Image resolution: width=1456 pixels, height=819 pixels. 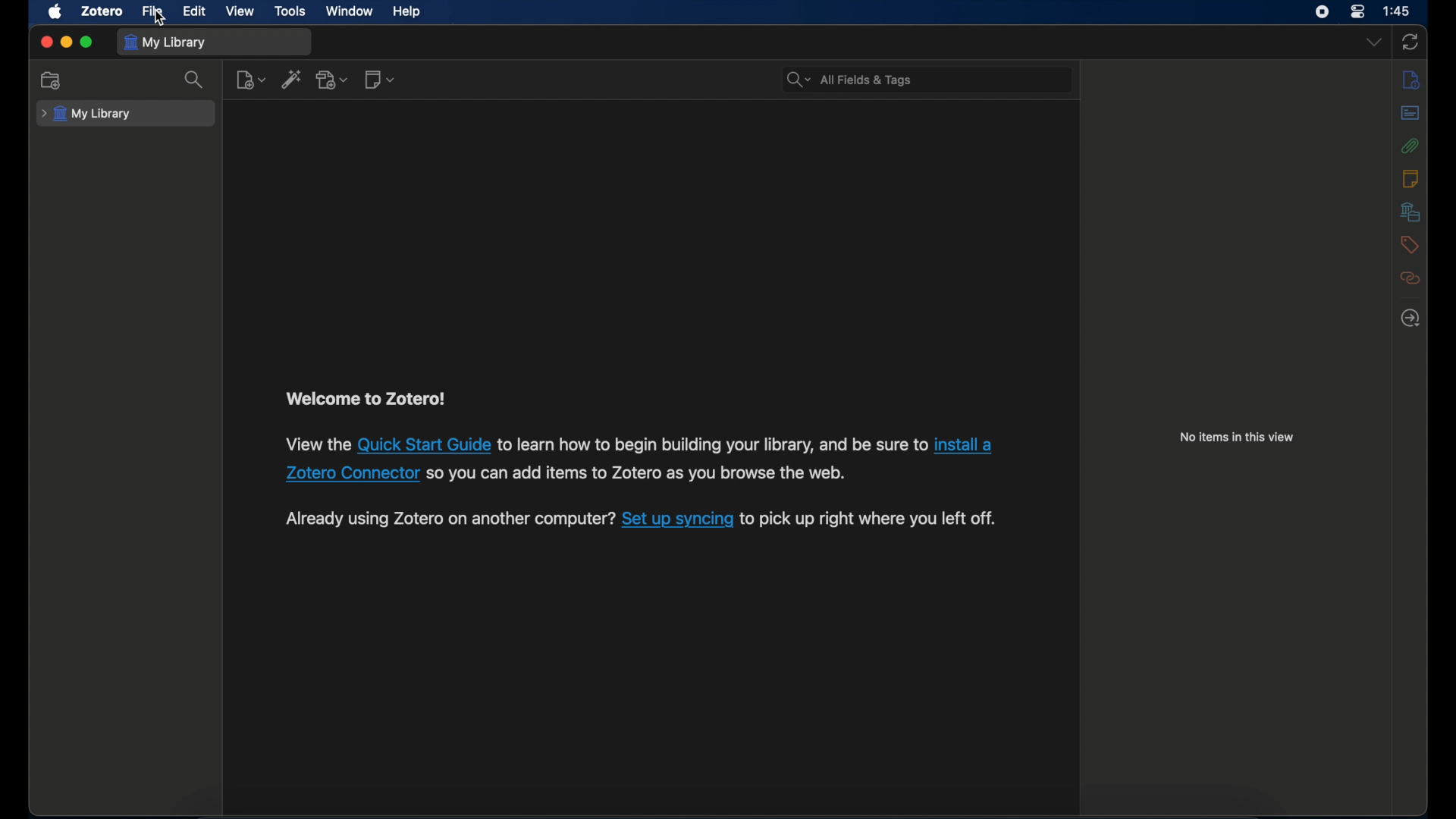 What do you see at coordinates (1410, 146) in the screenshot?
I see `attachment` at bounding box center [1410, 146].